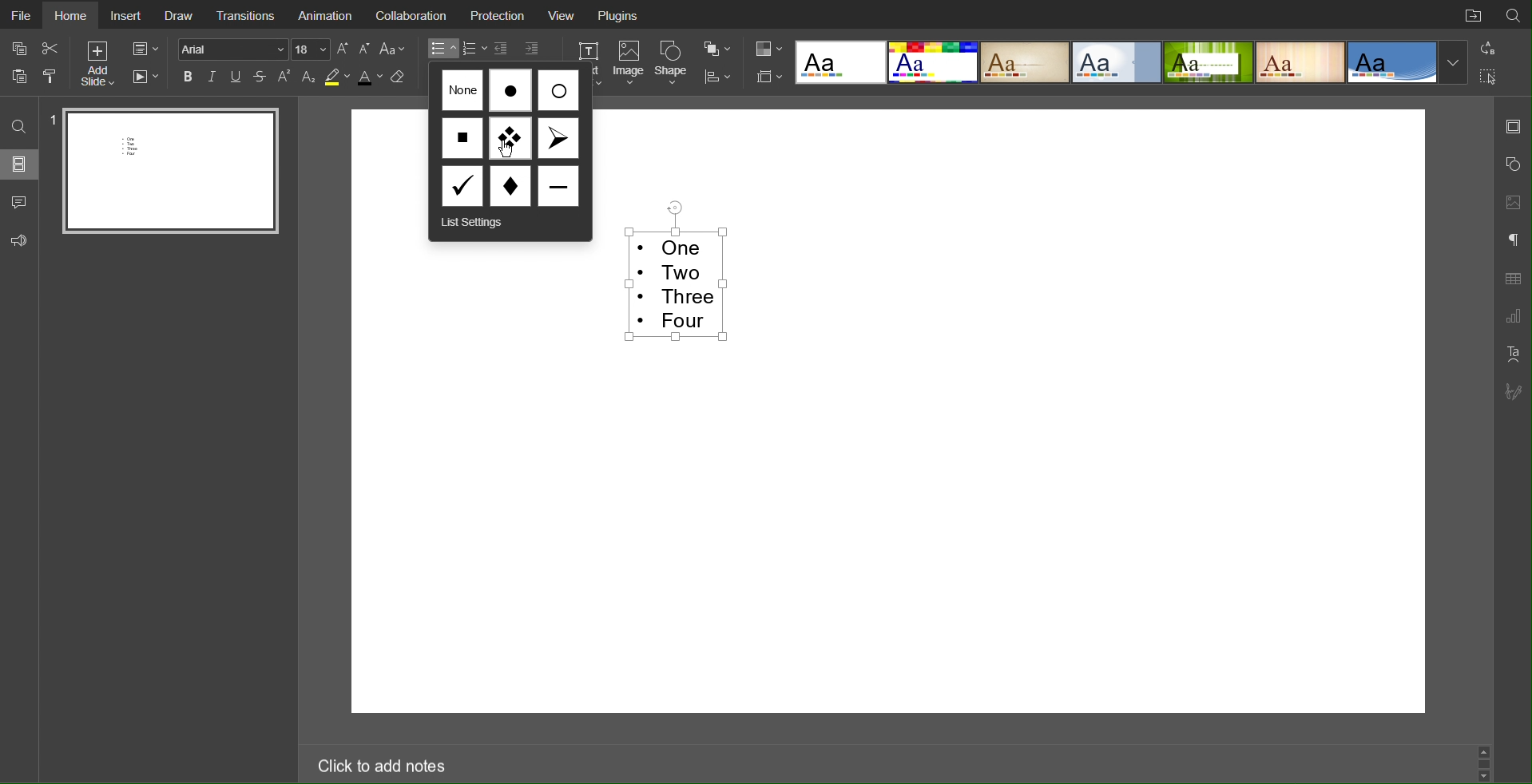 The width and height of the screenshot is (1532, 784). Describe the element at coordinates (70, 15) in the screenshot. I see `Home` at that location.